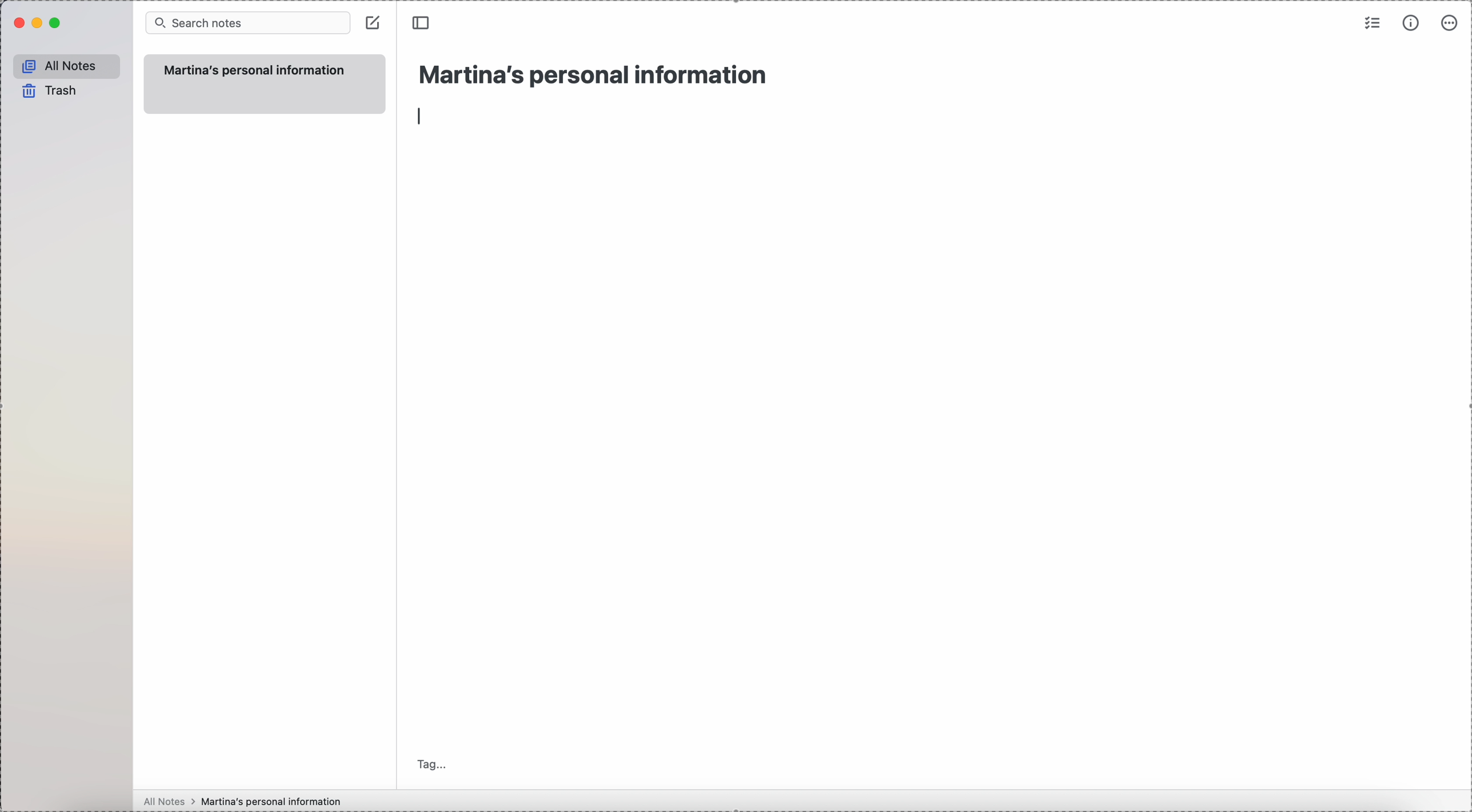 The height and width of the screenshot is (812, 1472). What do you see at coordinates (591, 74) in the screenshot?
I see `title: Martina's personal information` at bounding box center [591, 74].